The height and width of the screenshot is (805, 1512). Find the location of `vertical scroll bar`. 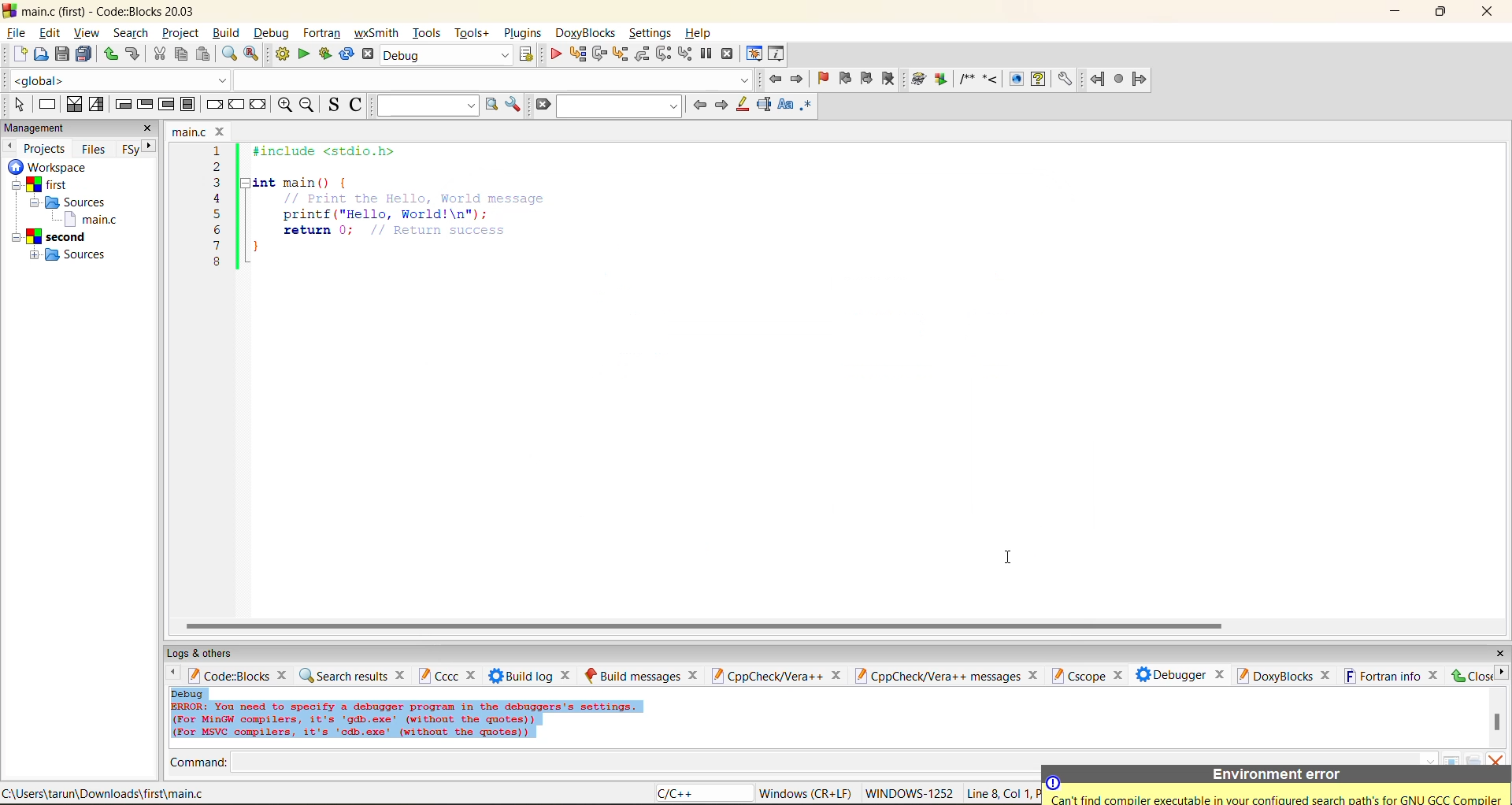

vertical scroll bar is located at coordinates (1496, 722).